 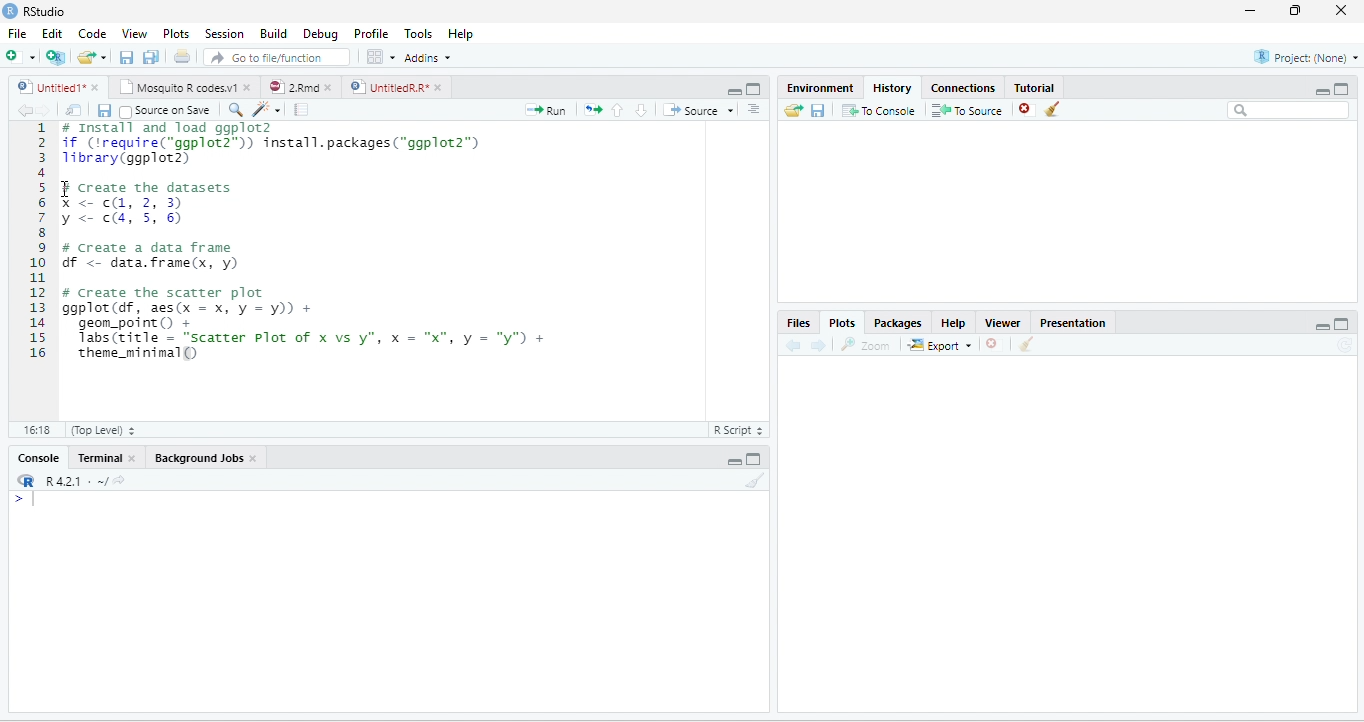 What do you see at coordinates (968, 111) in the screenshot?
I see `To Source` at bounding box center [968, 111].